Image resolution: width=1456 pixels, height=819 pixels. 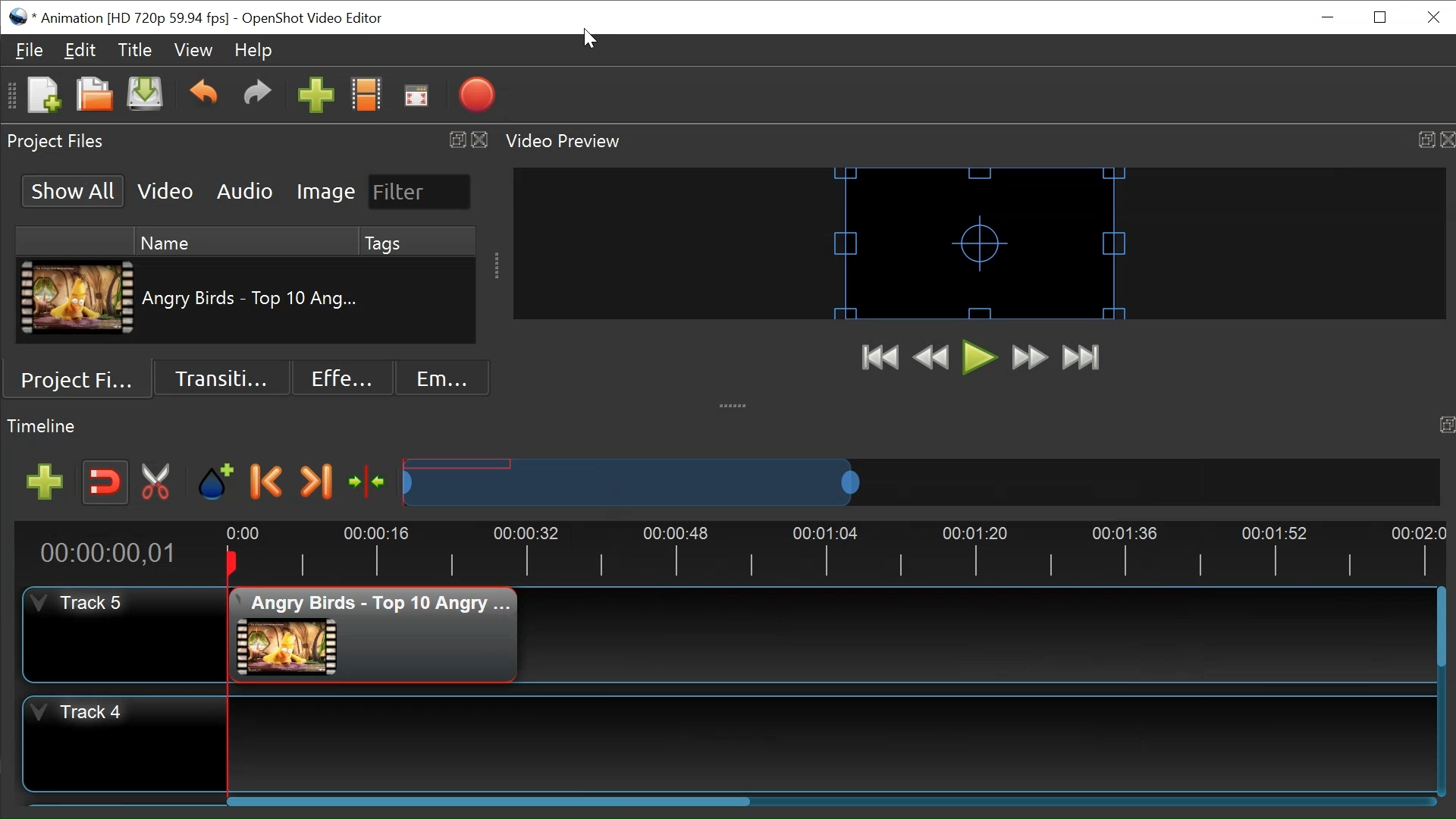 I want to click on Add Marker, so click(x=216, y=481).